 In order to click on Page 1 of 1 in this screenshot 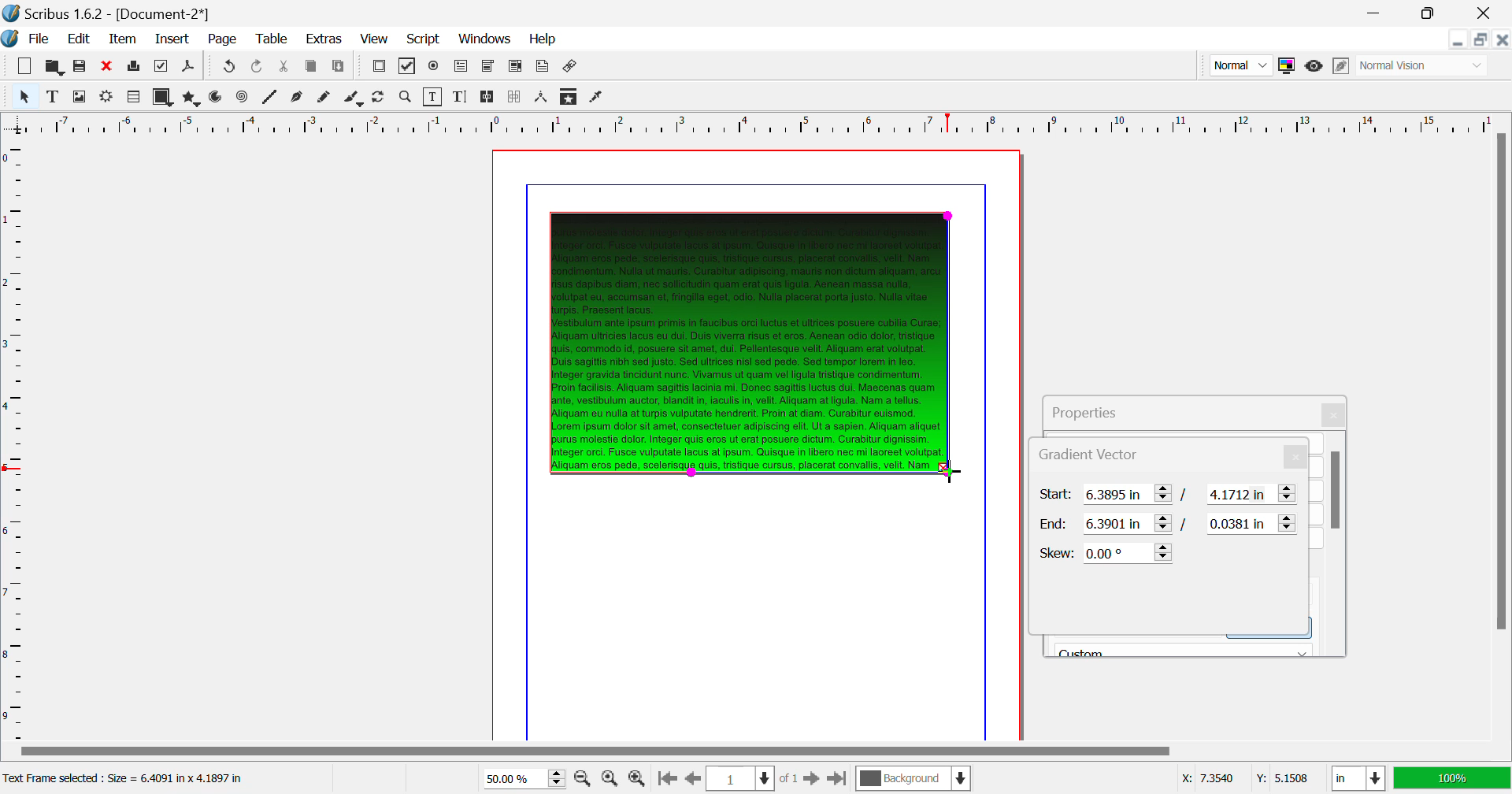, I will do `click(750, 778)`.